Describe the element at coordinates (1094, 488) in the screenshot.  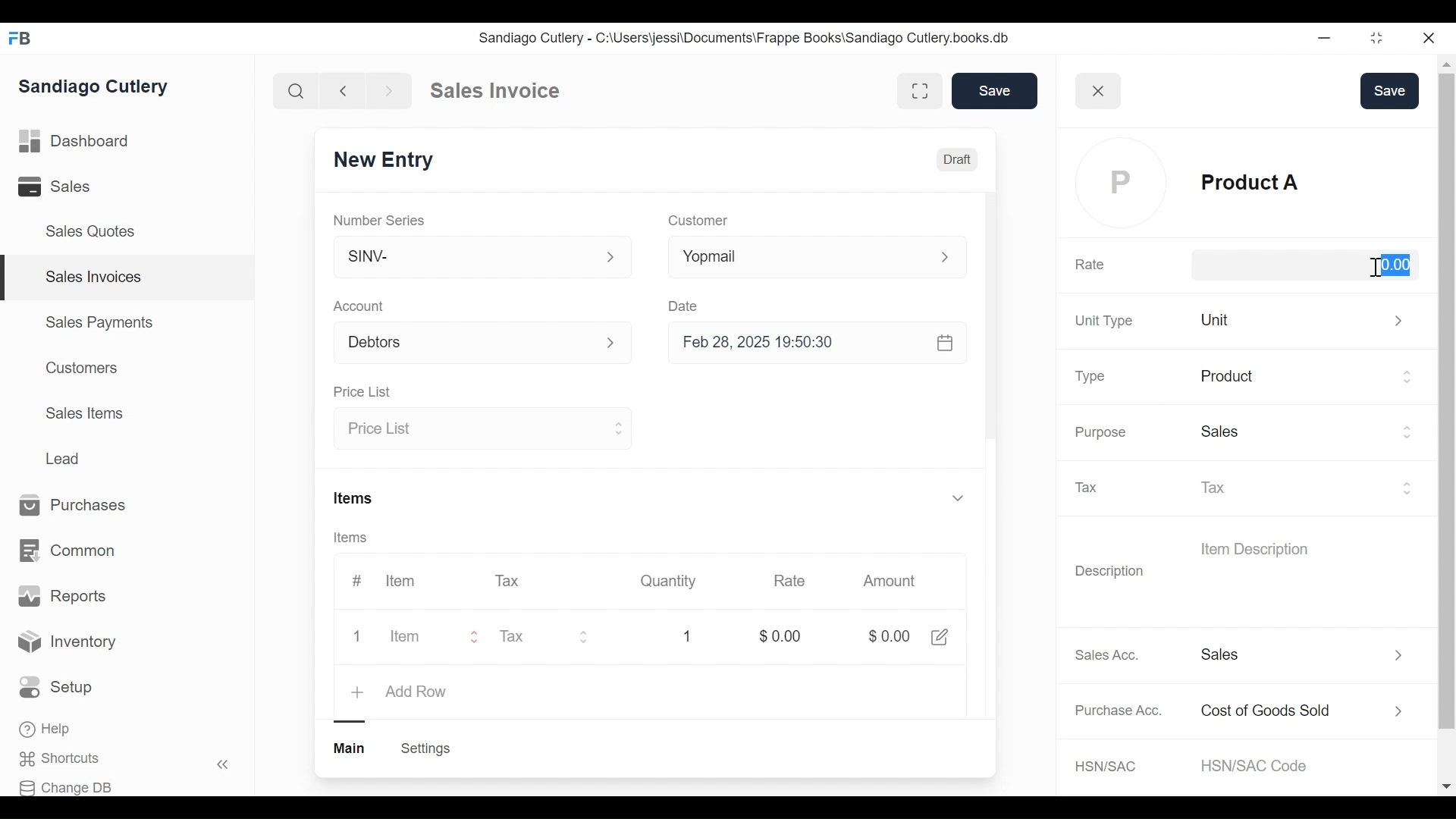
I see `Tax` at that location.